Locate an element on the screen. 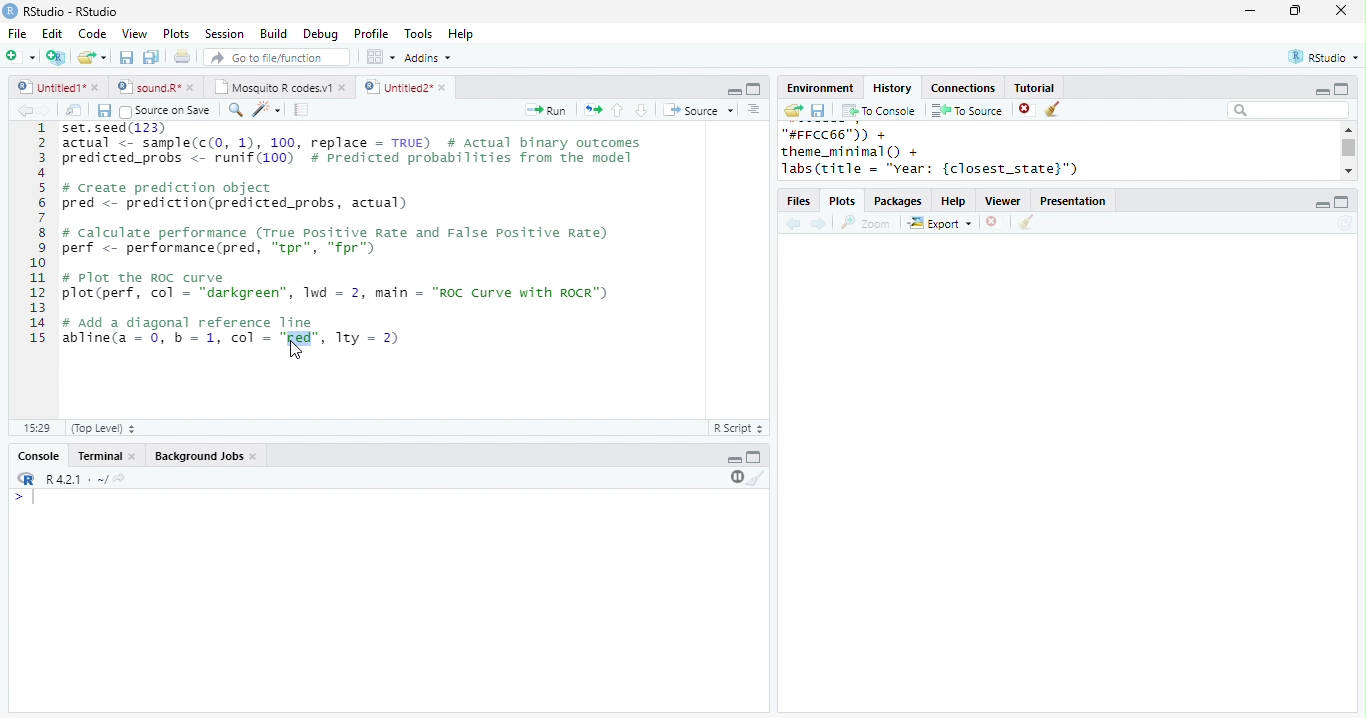 Image resolution: width=1366 pixels, height=718 pixels. open folder is located at coordinates (792, 110).